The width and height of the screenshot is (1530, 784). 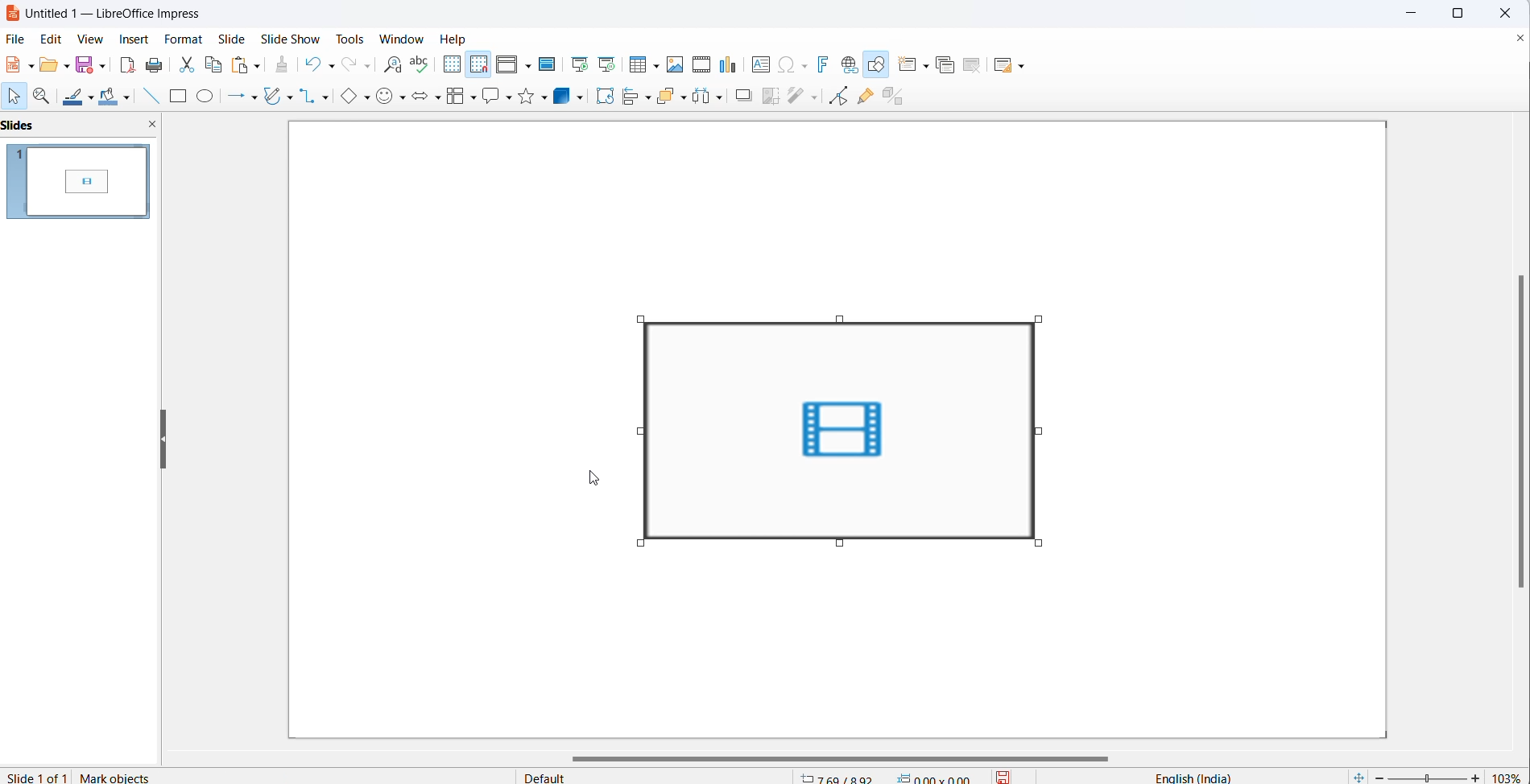 I want to click on symbol shapes, so click(x=386, y=97).